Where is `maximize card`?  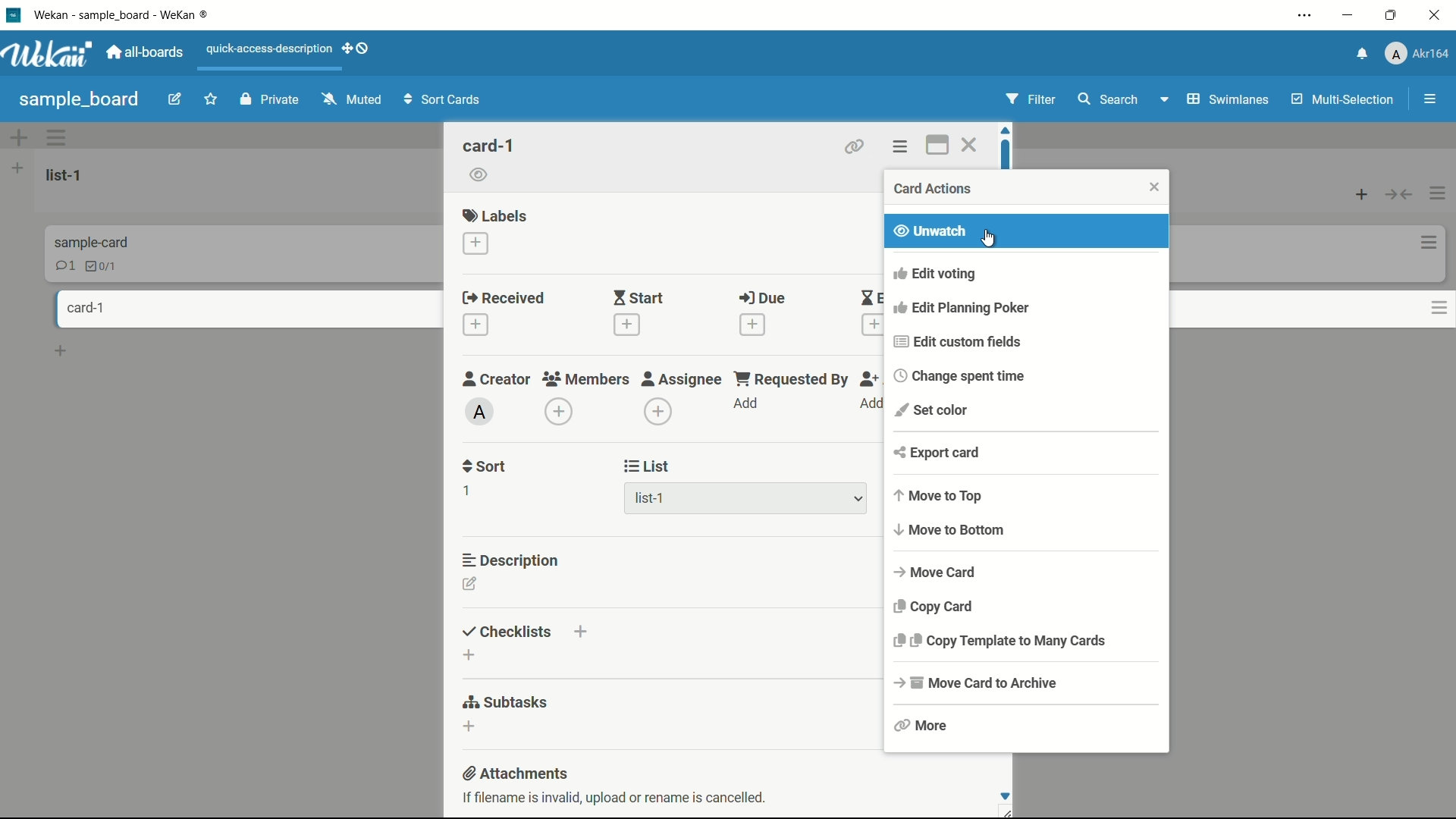 maximize card is located at coordinates (938, 144).